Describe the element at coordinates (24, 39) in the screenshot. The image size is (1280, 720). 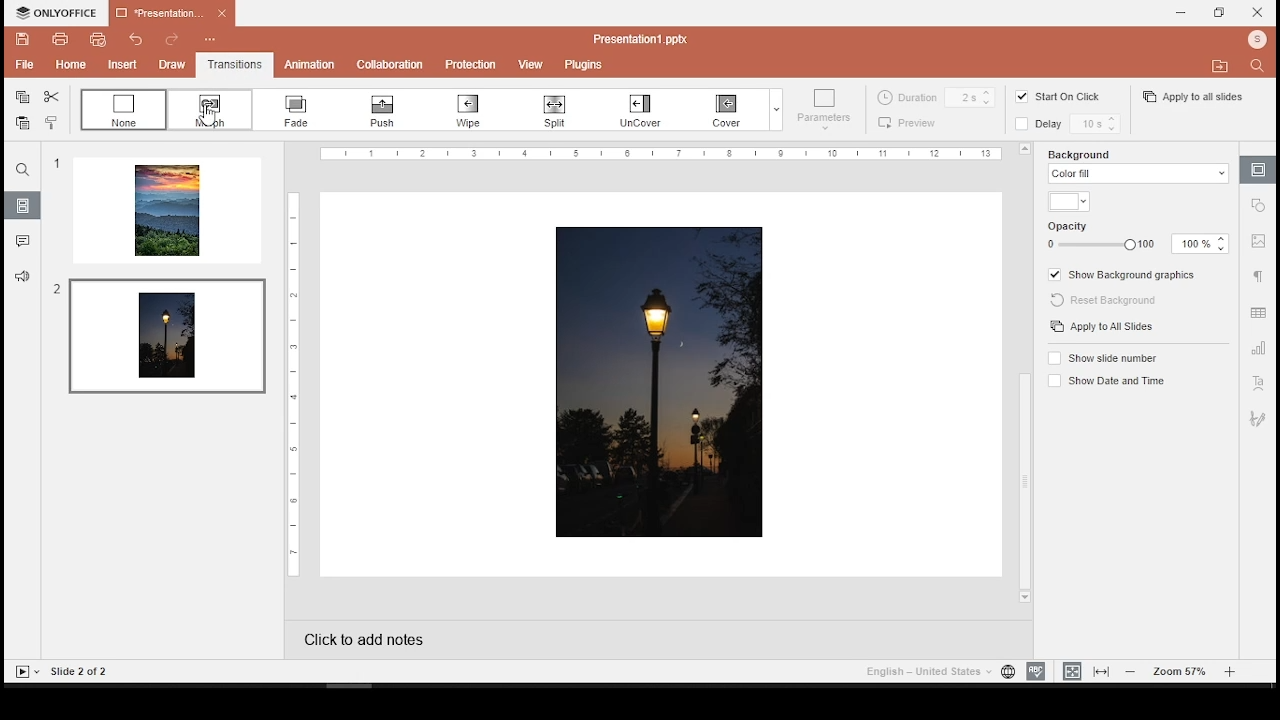
I see `save` at that location.